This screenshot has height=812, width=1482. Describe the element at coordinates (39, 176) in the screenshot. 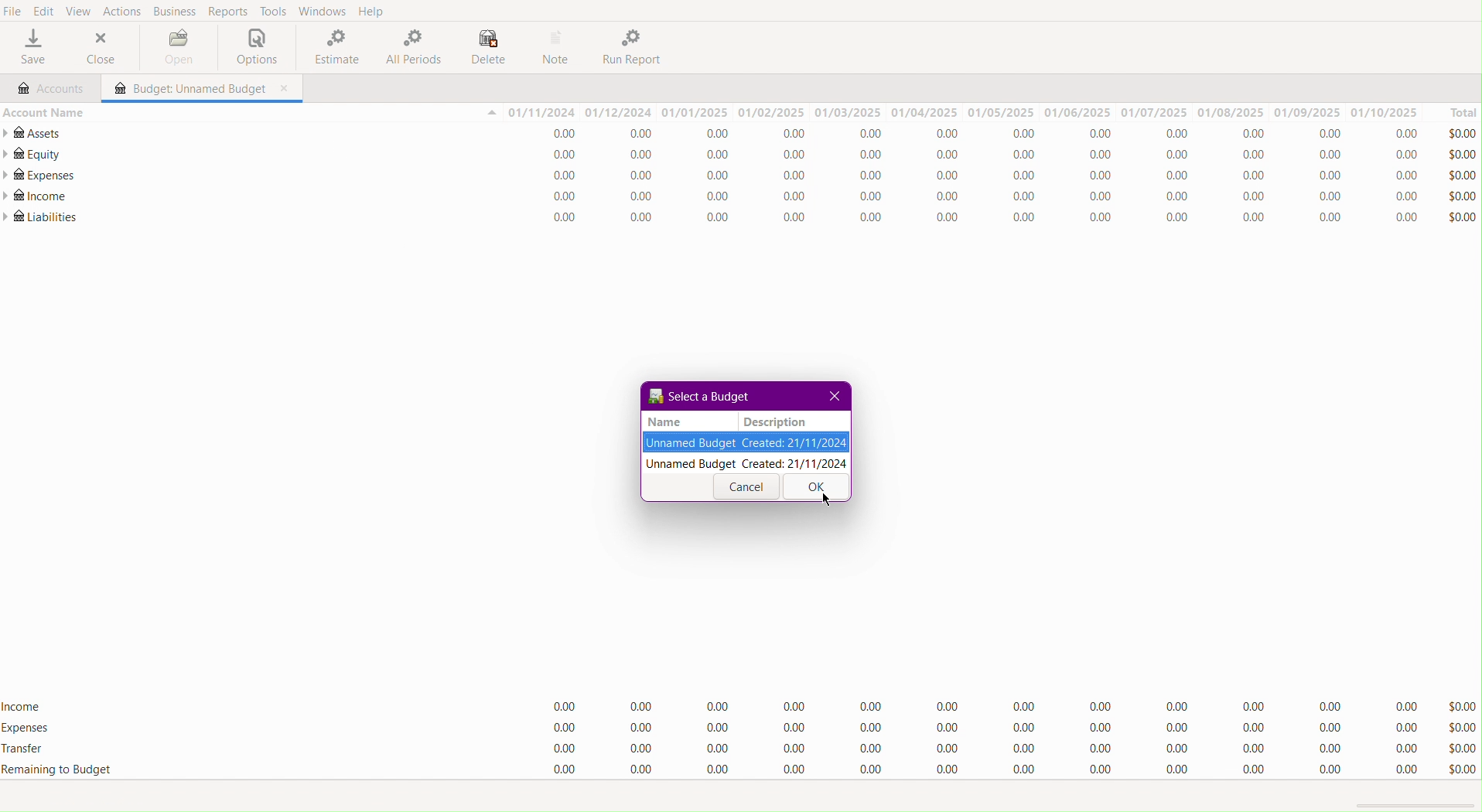

I see `Expenses` at that location.